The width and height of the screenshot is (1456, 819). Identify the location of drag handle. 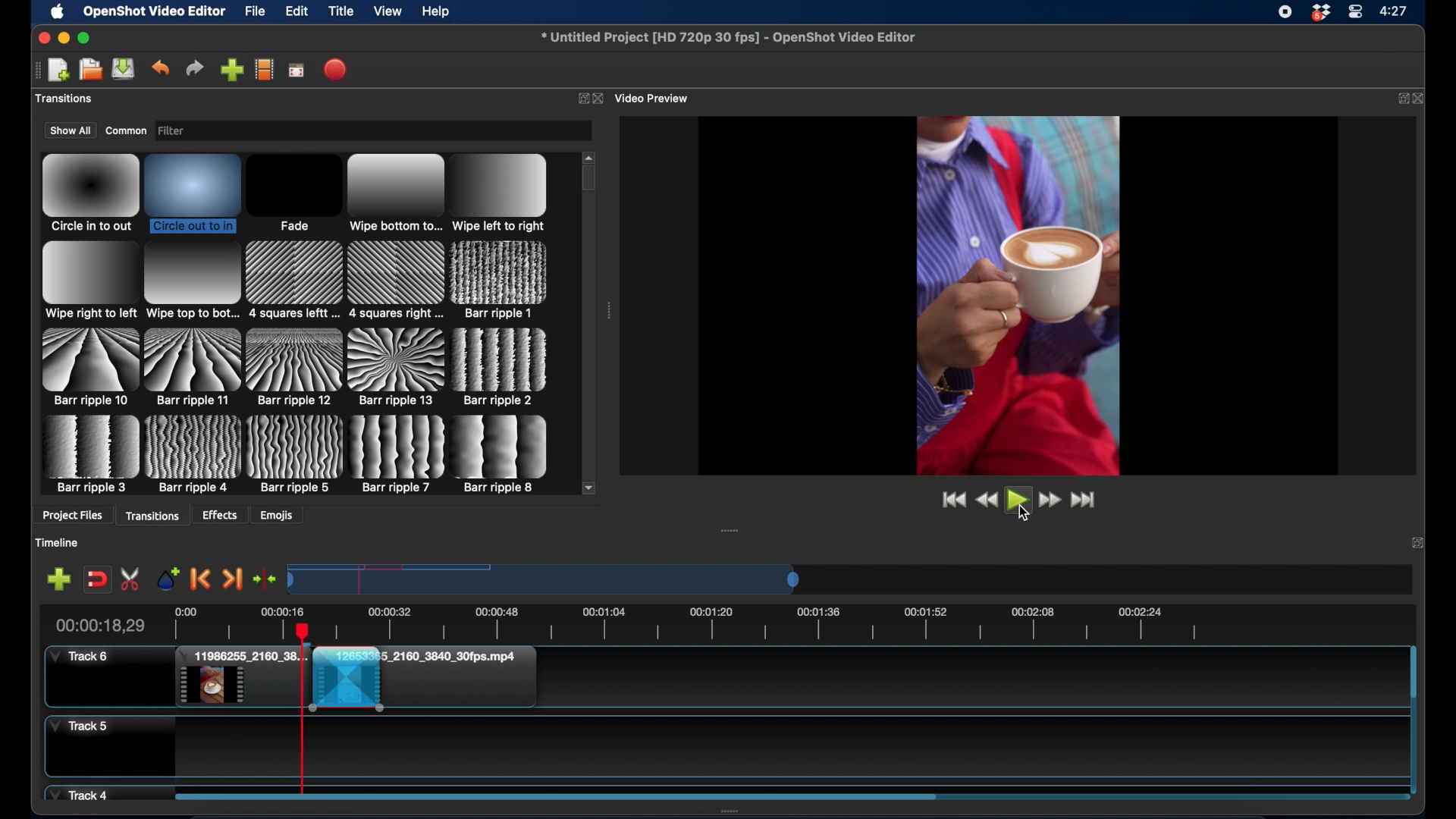
(731, 530).